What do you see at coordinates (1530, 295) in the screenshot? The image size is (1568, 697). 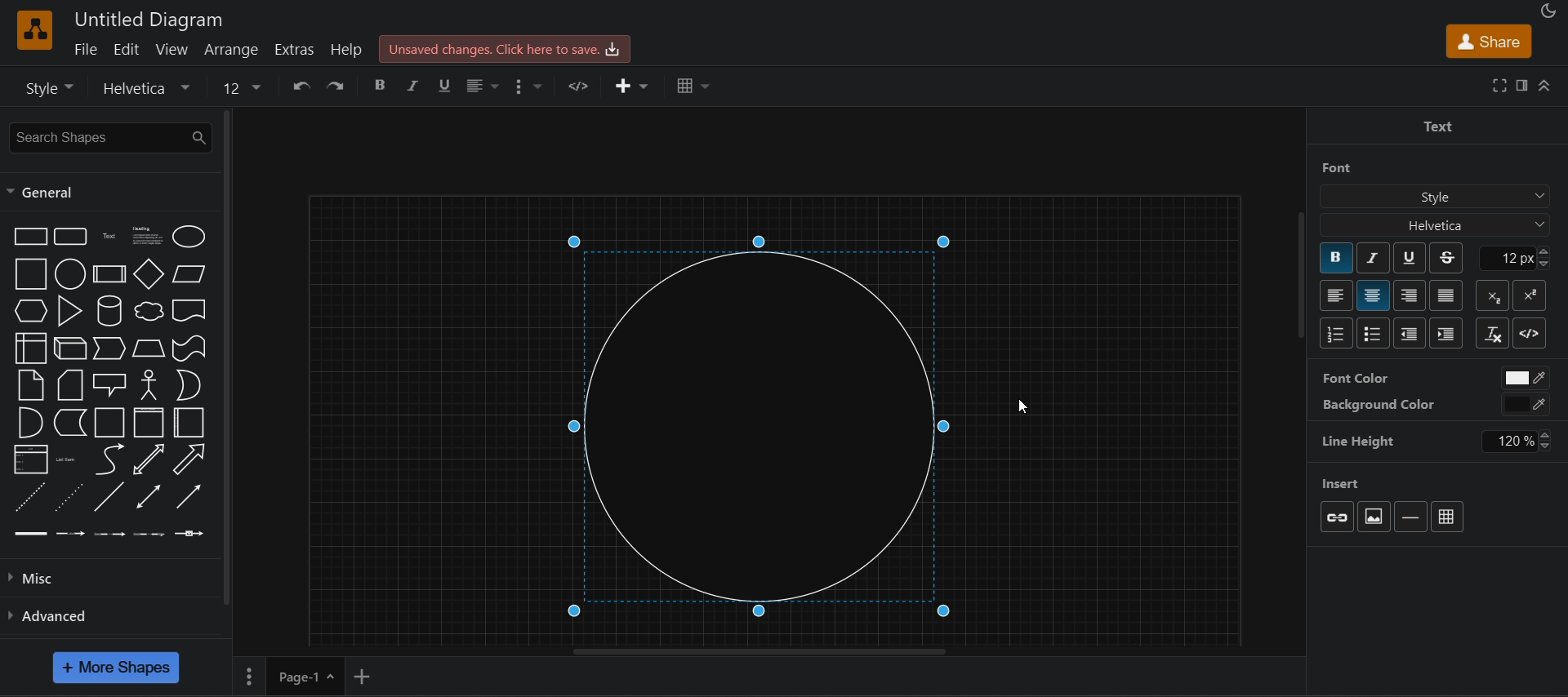 I see `superscript` at bounding box center [1530, 295].